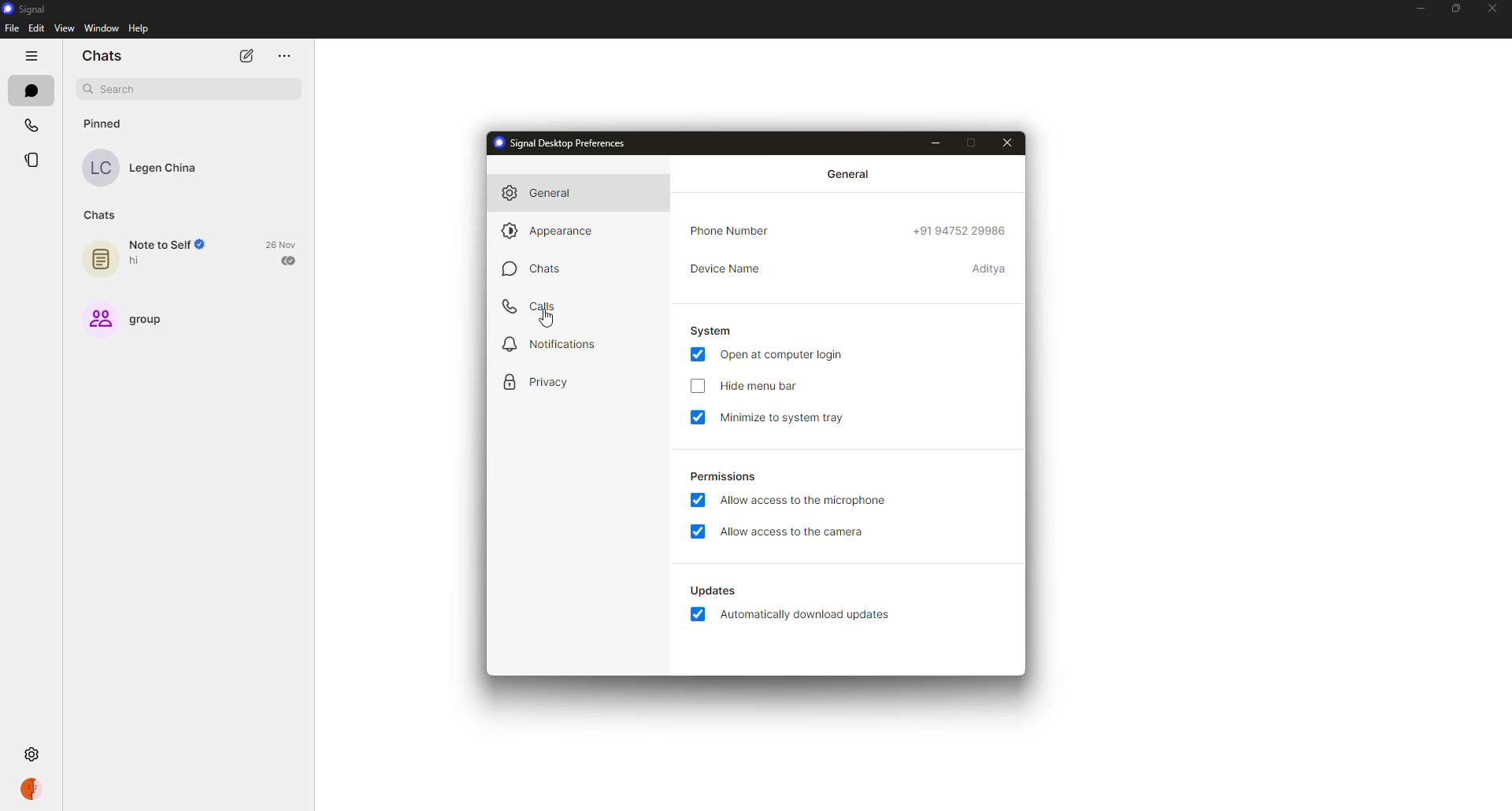 The image size is (1512, 811). Describe the element at coordinates (104, 124) in the screenshot. I see `pinned` at that location.